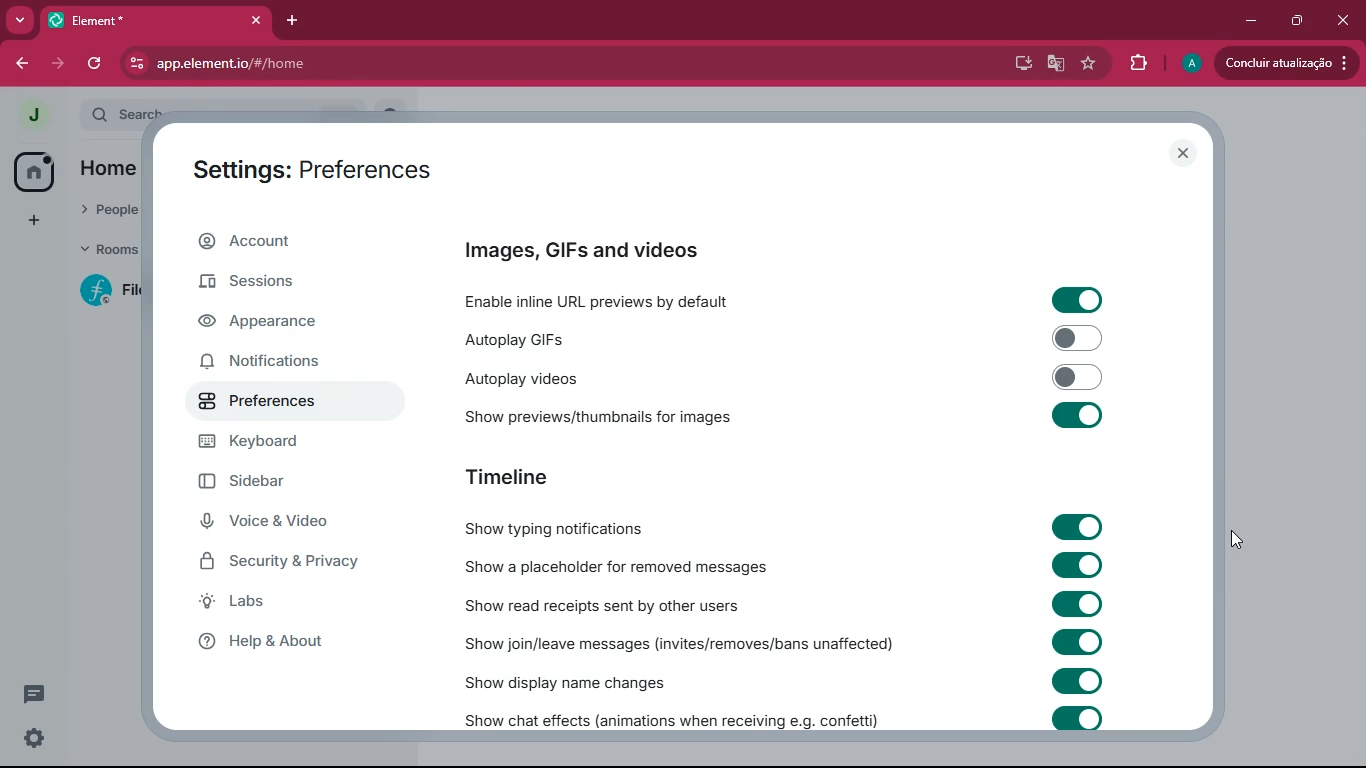 This screenshot has height=768, width=1366. What do you see at coordinates (1079, 565) in the screenshot?
I see `toggle on/off` at bounding box center [1079, 565].